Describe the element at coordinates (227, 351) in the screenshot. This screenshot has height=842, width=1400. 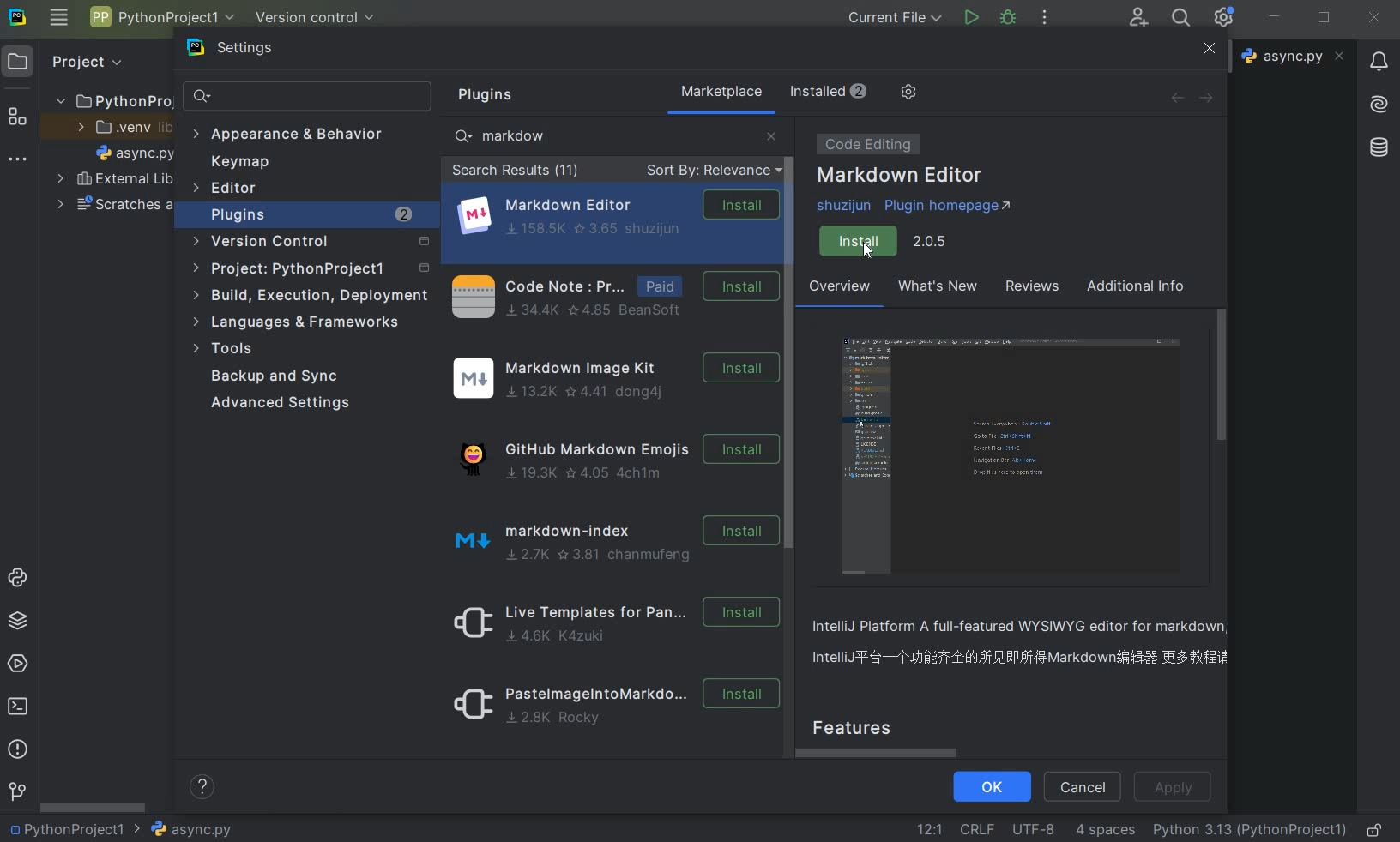
I see `tools` at that location.